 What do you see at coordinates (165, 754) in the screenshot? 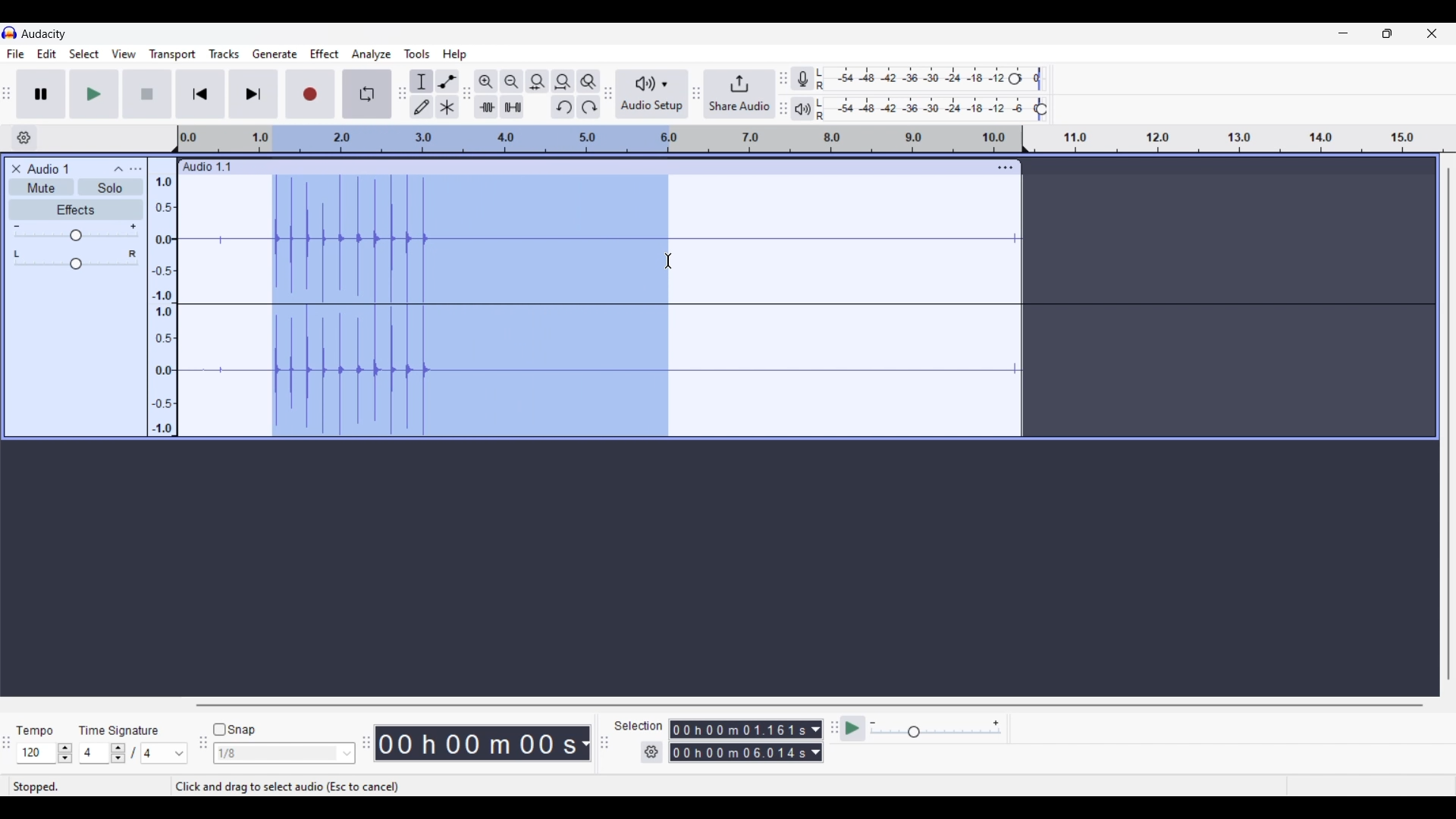
I see `Time signature options` at bounding box center [165, 754].